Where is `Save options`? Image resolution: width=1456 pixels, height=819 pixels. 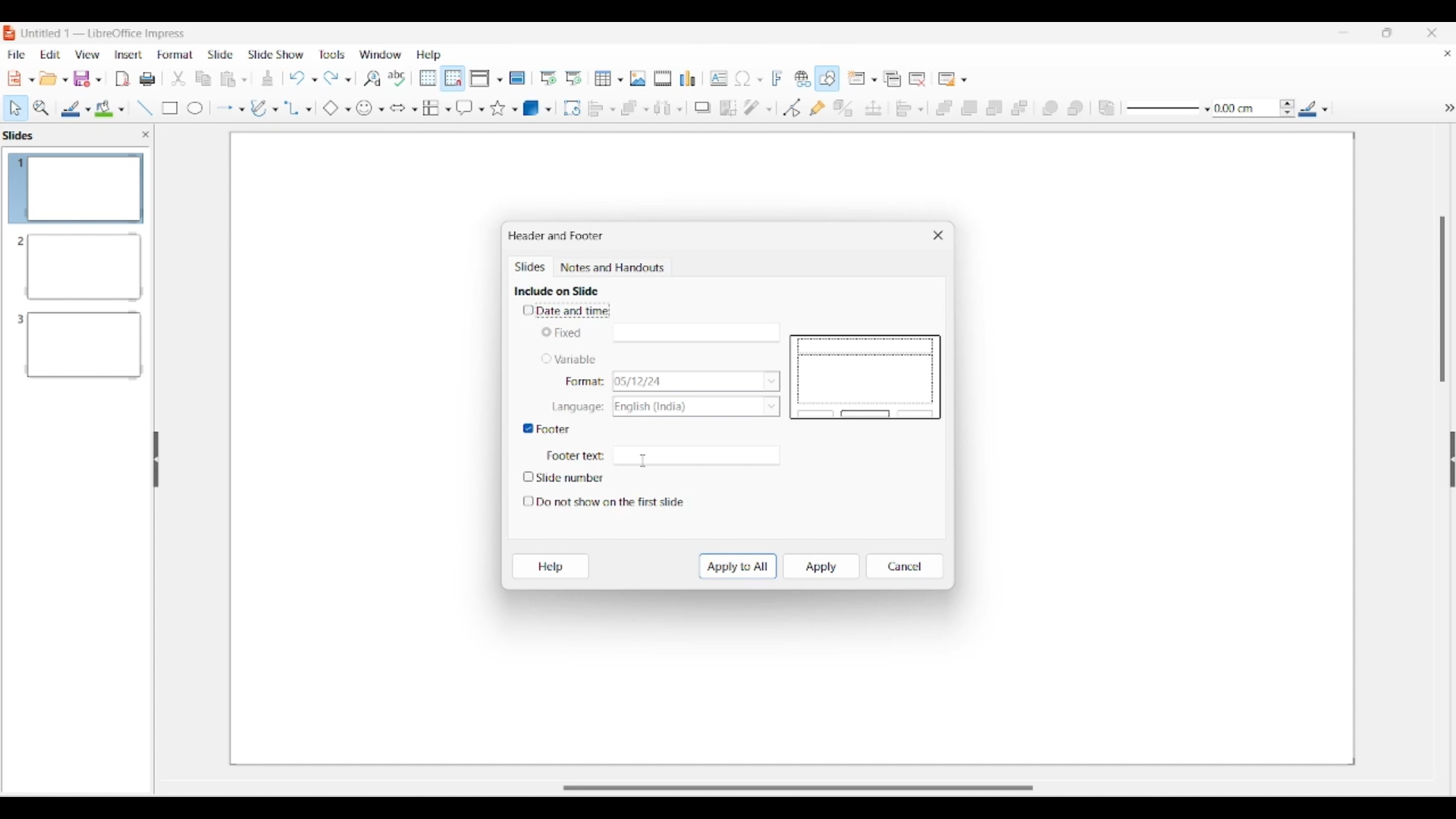
Save options is located at coordinates (88, 79).